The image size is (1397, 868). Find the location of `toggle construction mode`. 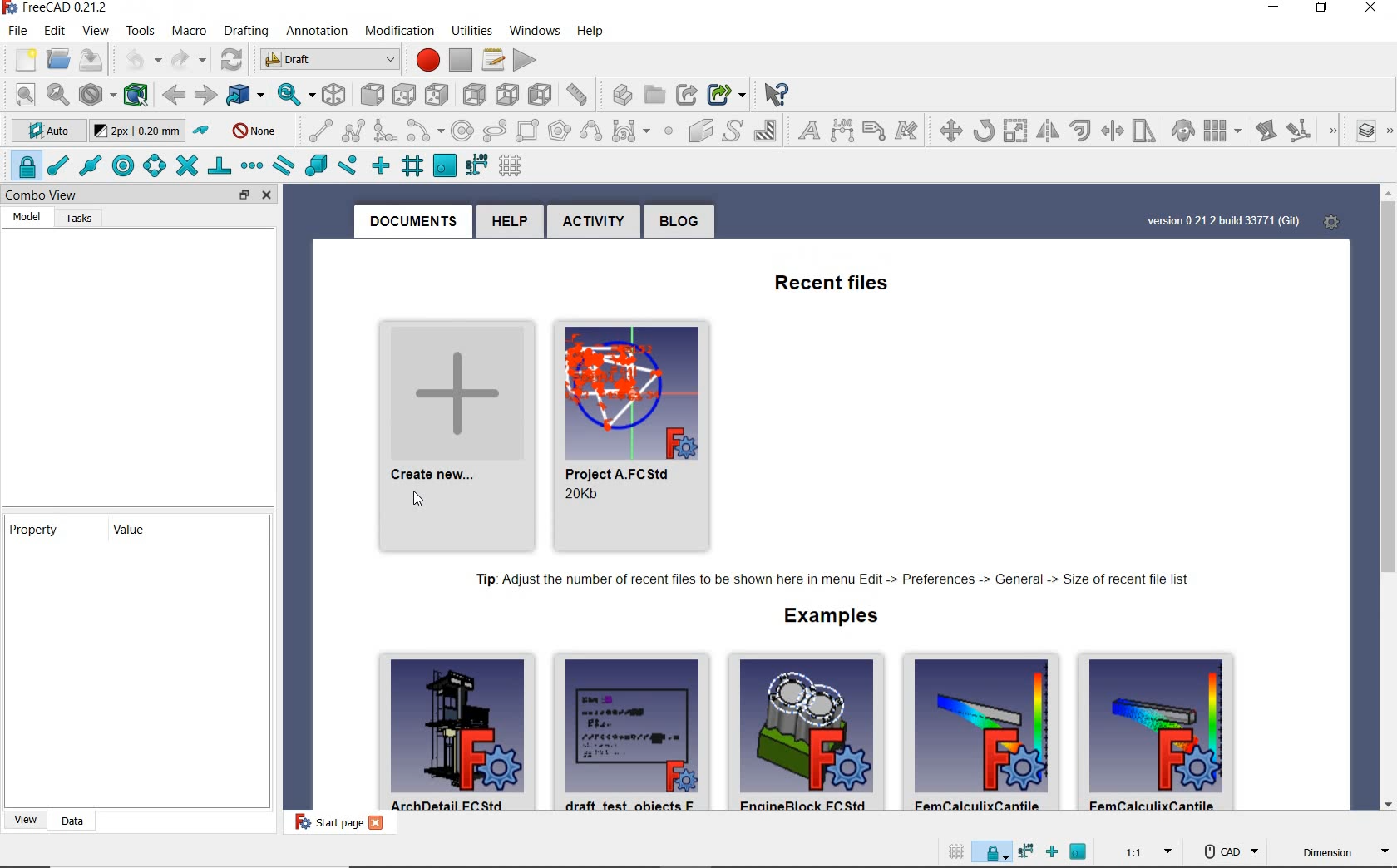

toggle construction mode is located at coordinates (200, 131).